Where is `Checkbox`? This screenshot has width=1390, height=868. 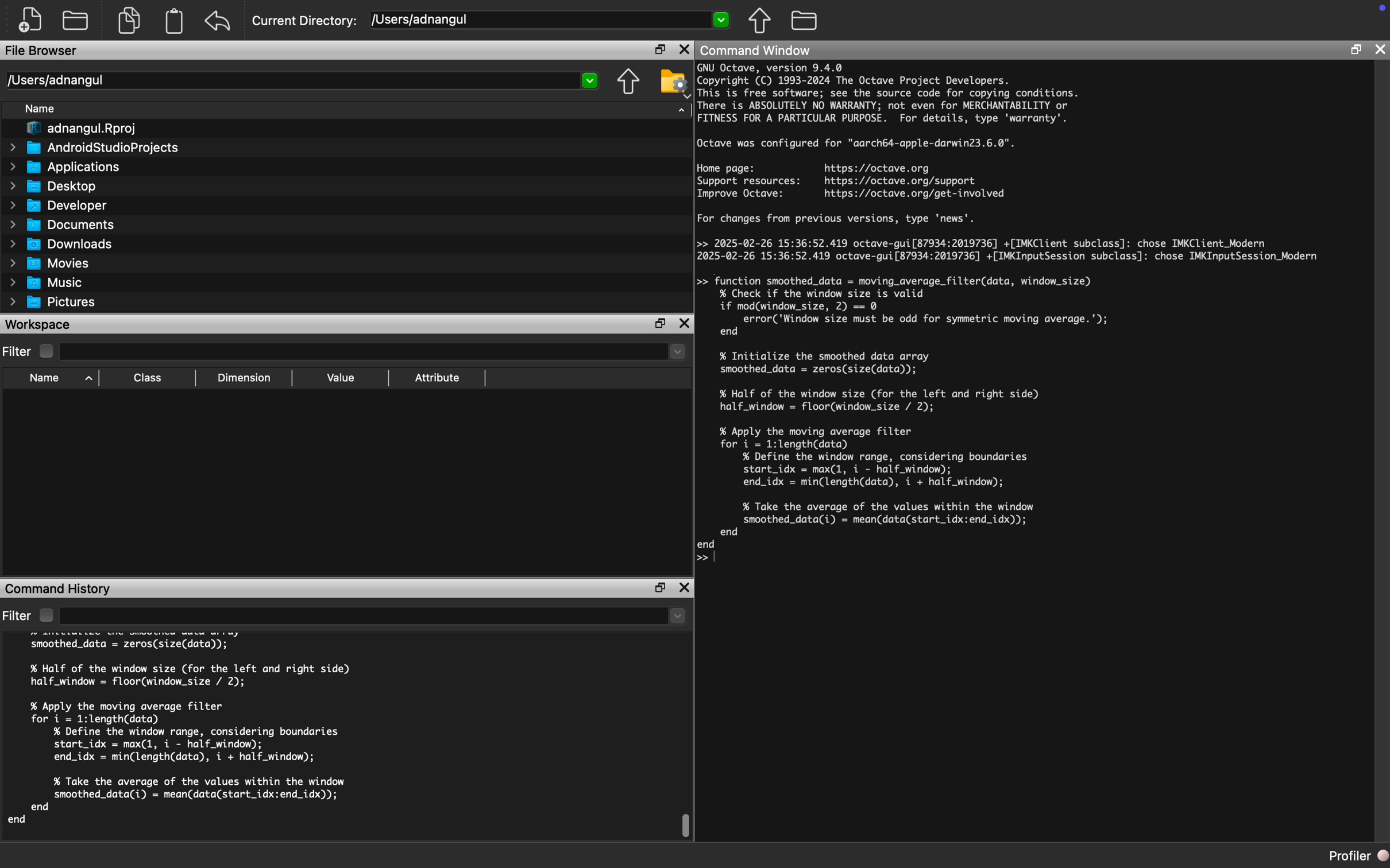
Checkbox is located at coordinates (46, 351).